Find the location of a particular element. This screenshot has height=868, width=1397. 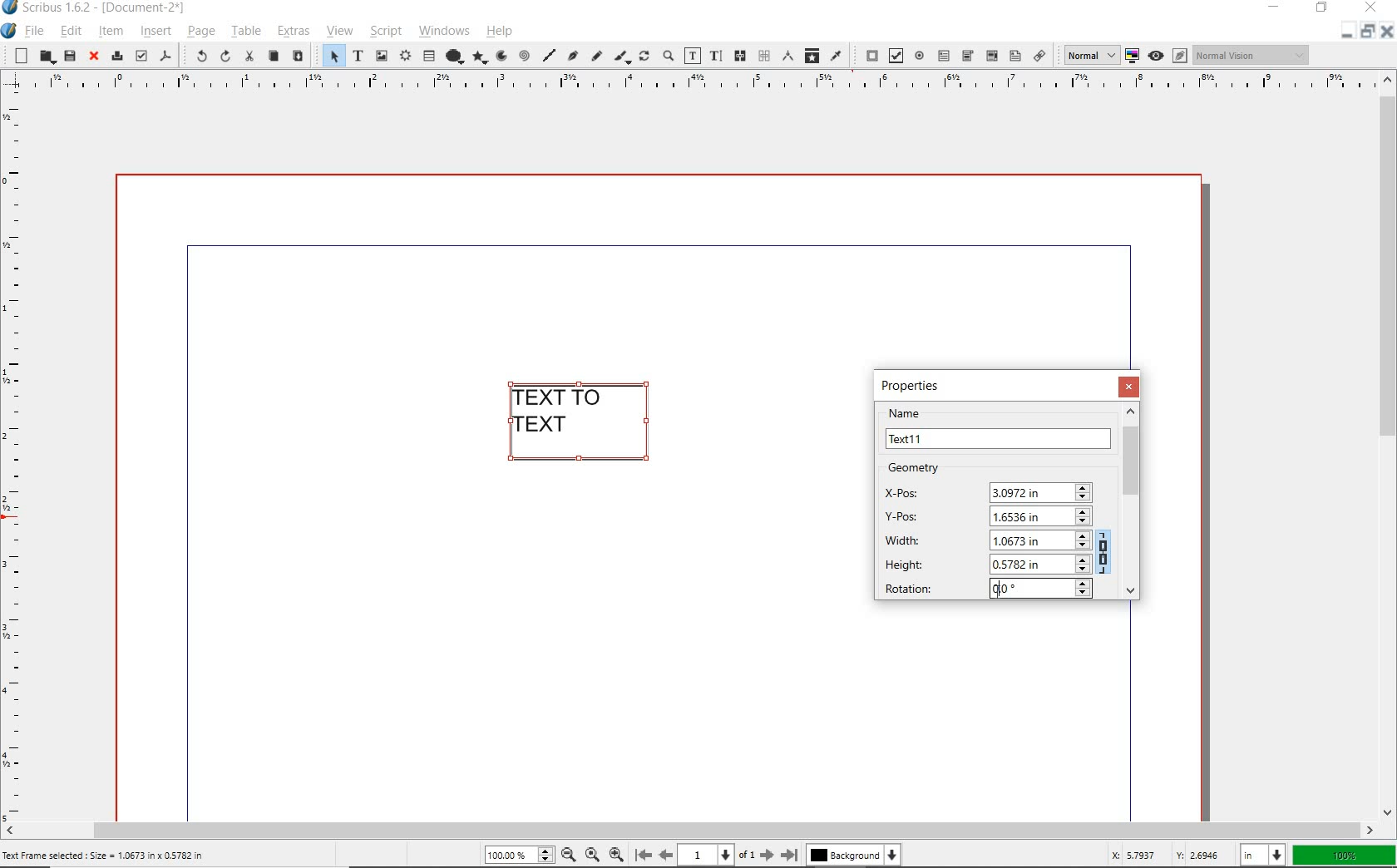

move to next is located at coordinates (770, 857).